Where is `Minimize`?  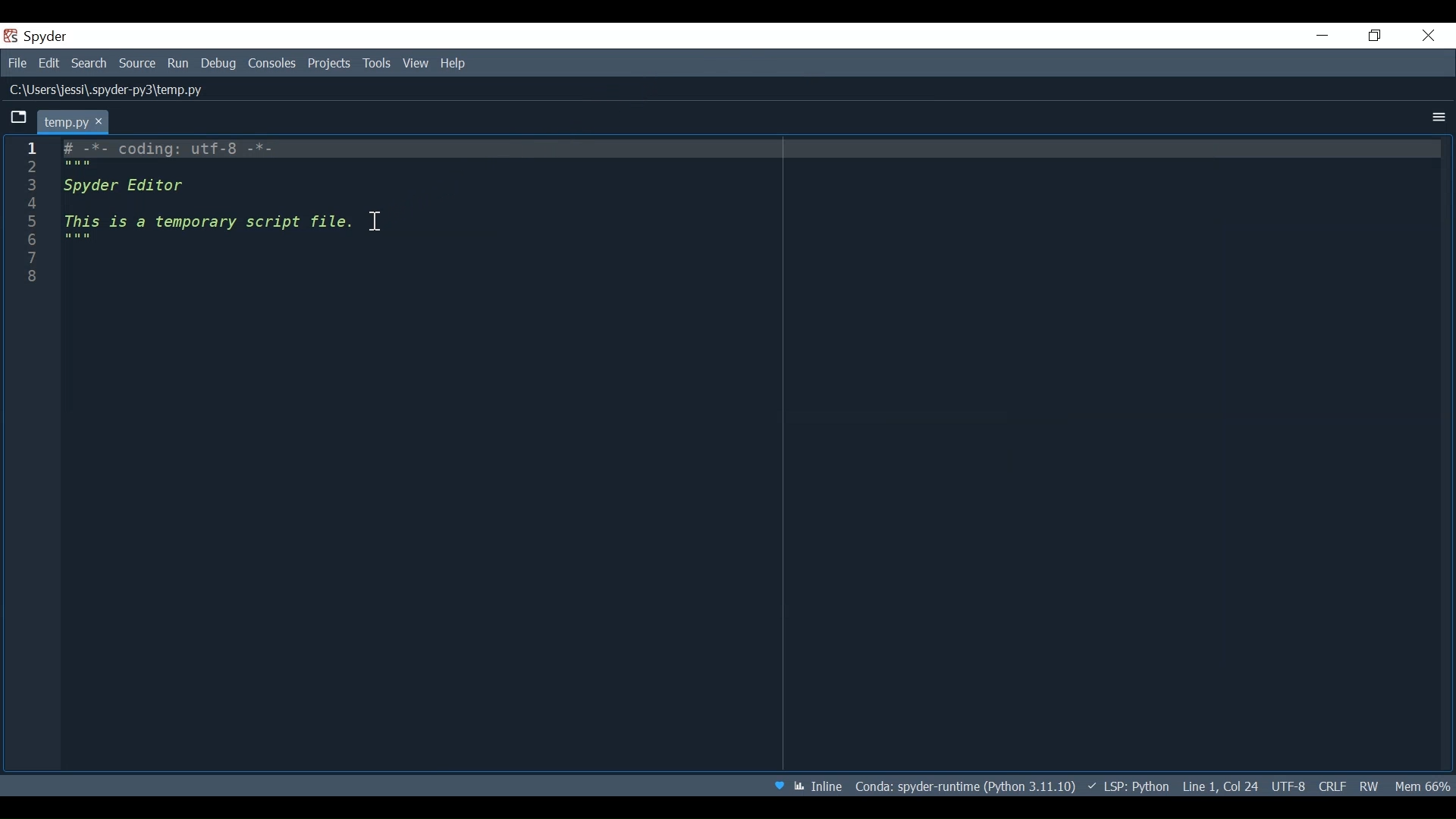 Minimize is located at coordinates (1323, 35).